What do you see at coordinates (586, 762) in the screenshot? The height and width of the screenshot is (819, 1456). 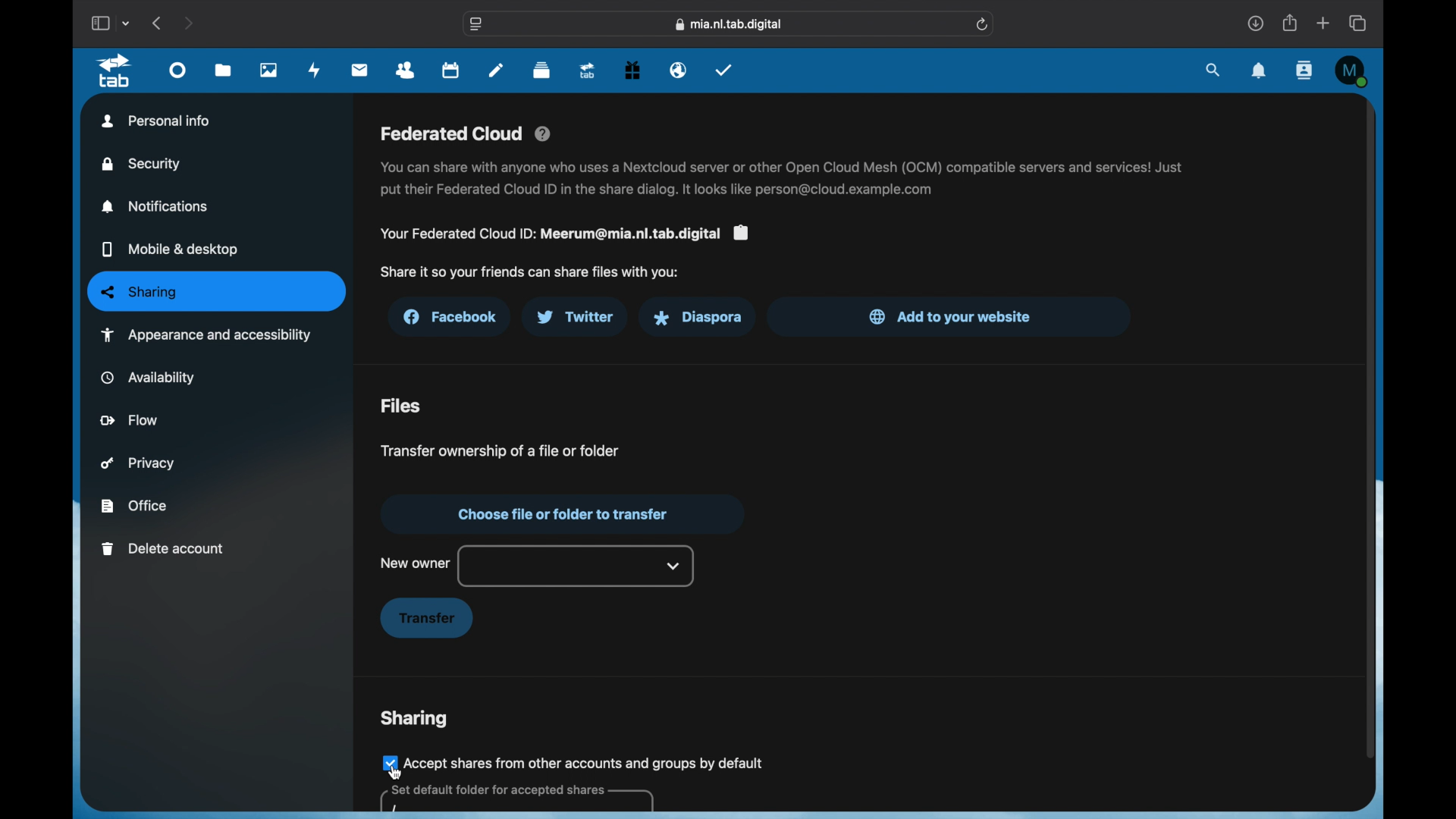 I see `accept shares foremother accounts and groups by default` at bounding box center [586, 762].